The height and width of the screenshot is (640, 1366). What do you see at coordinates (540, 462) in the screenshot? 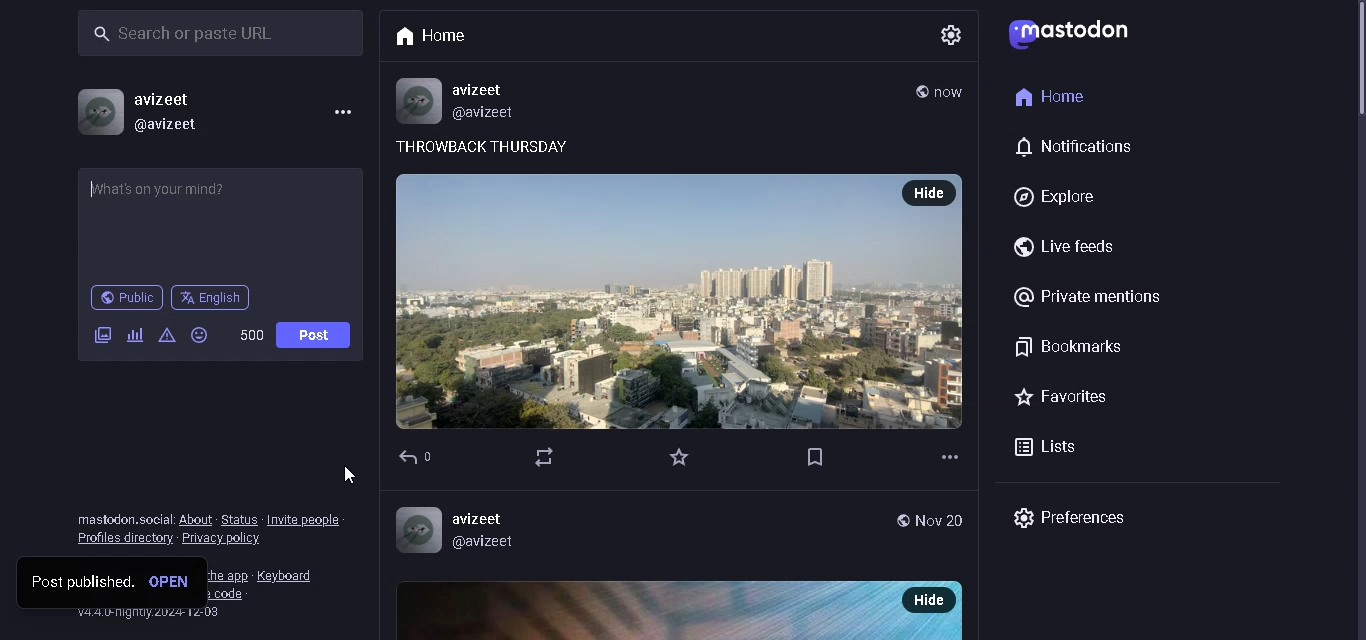
I see `` at bounding box center [540, 462].